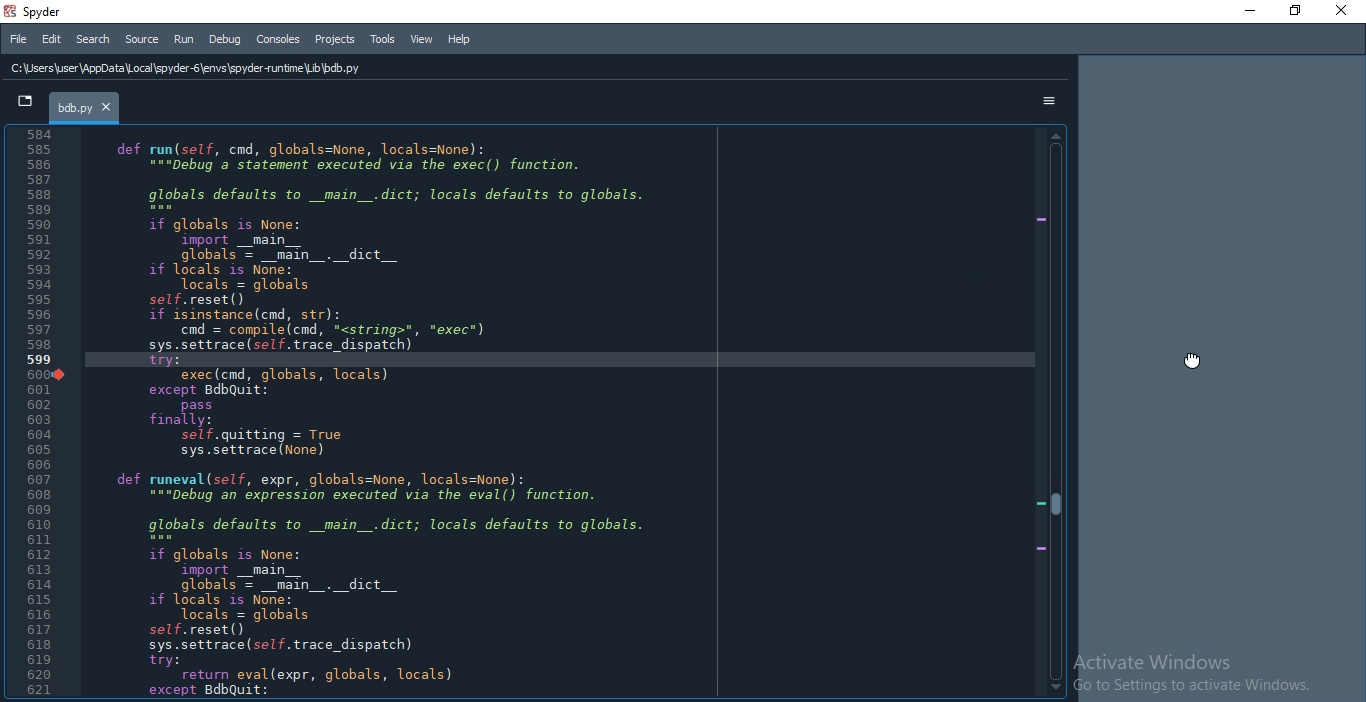  What do you see at coordinates (144, 40) in the screenshot?
I see `Source` at bounding box center [144, 40].